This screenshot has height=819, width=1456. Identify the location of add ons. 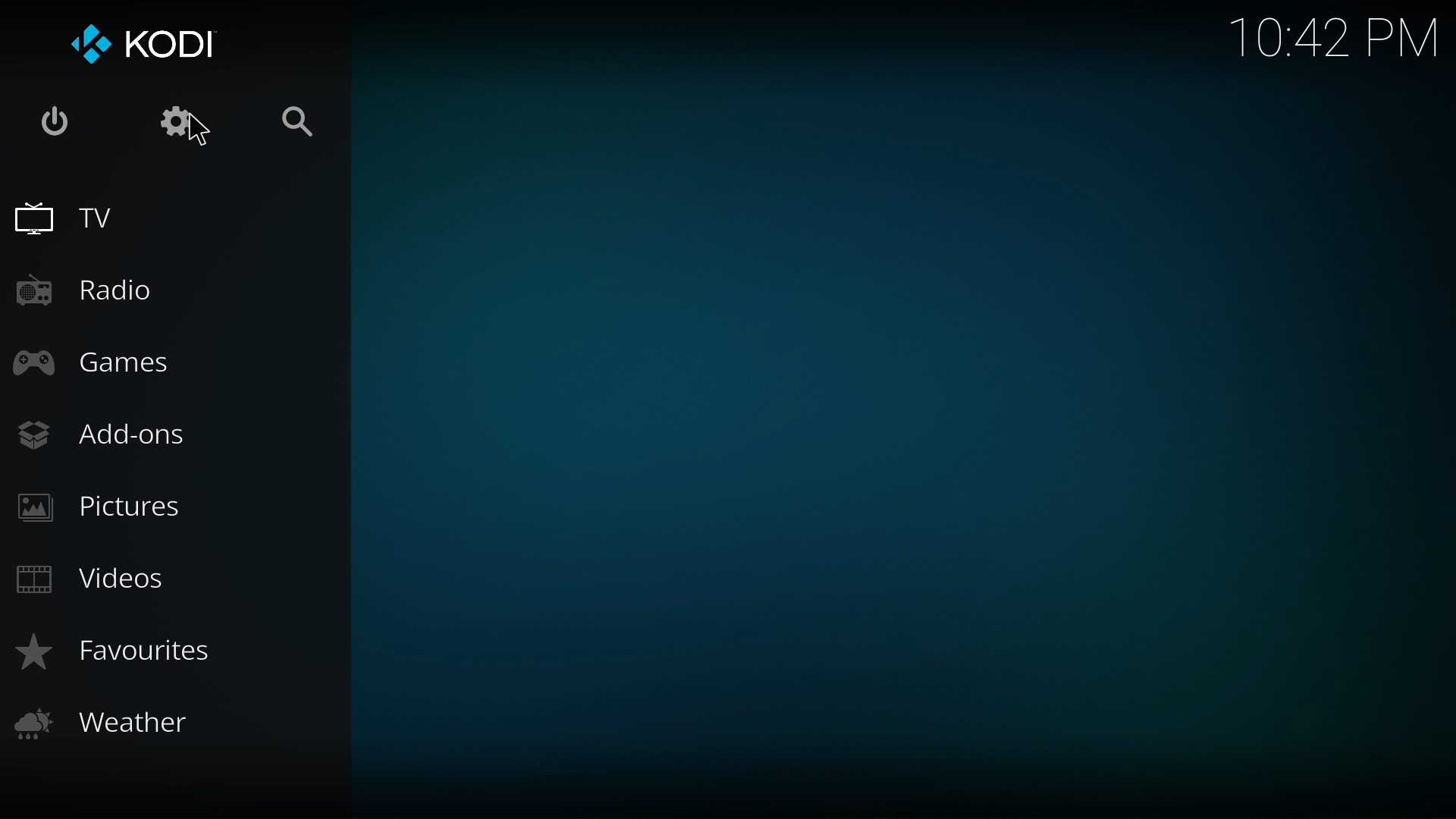
(105, 438).